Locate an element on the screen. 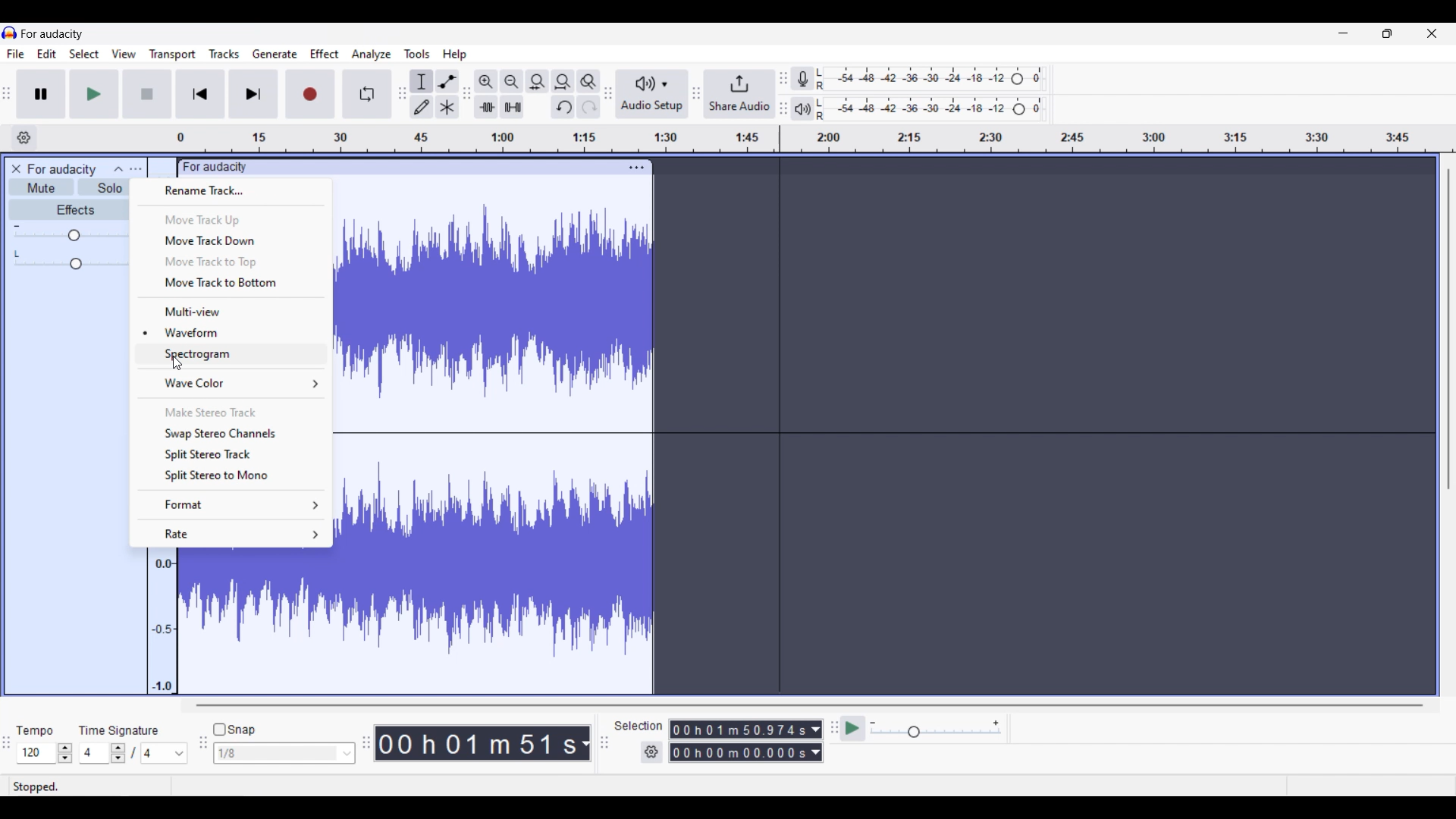 Image resolution: width=1456 pixels, height=819 pixels. Pan slider is located at coordinates (69, 260).